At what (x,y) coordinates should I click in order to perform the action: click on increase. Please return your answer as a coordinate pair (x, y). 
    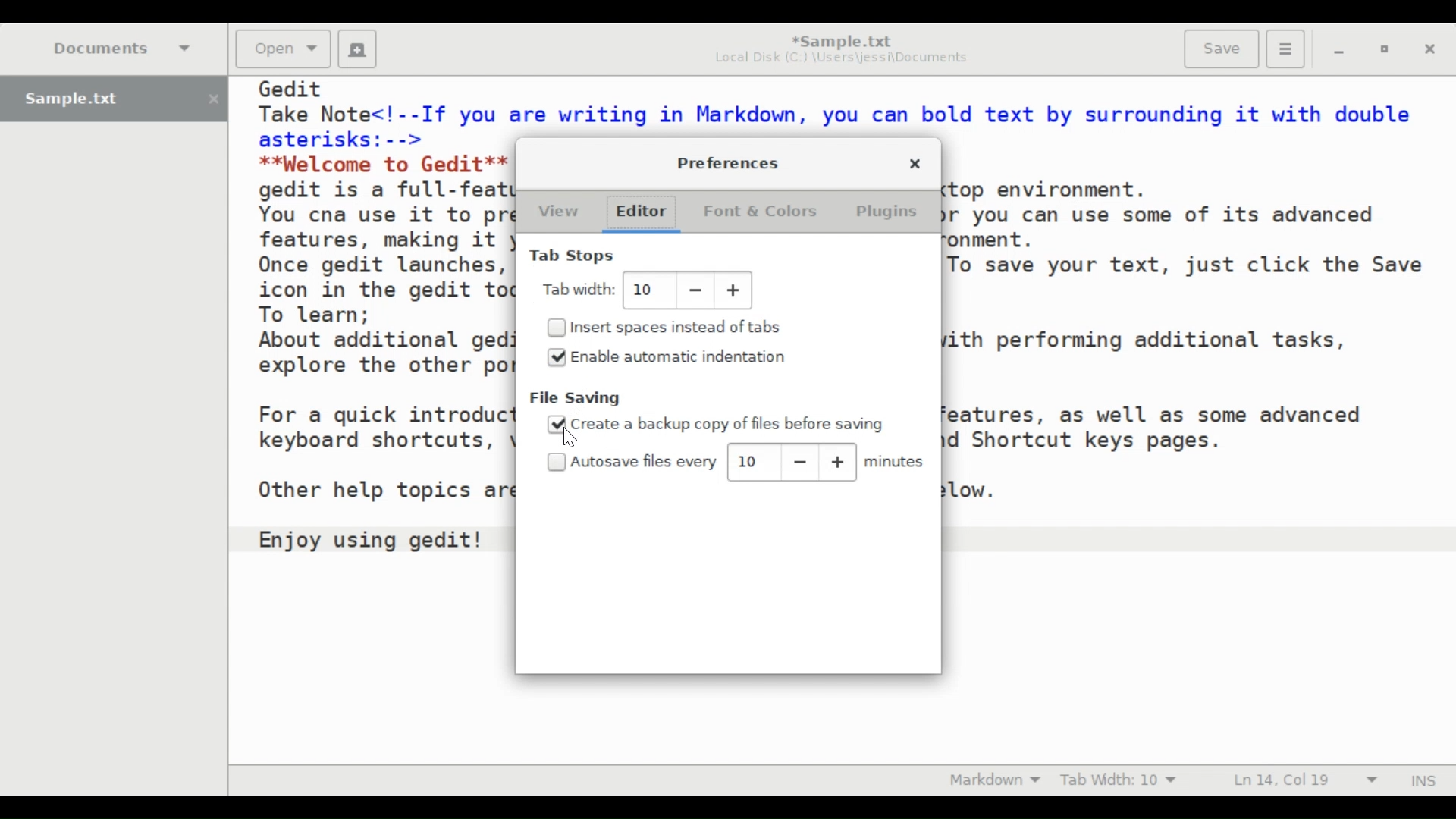
    Looking at the image, I should click on (838, 462).